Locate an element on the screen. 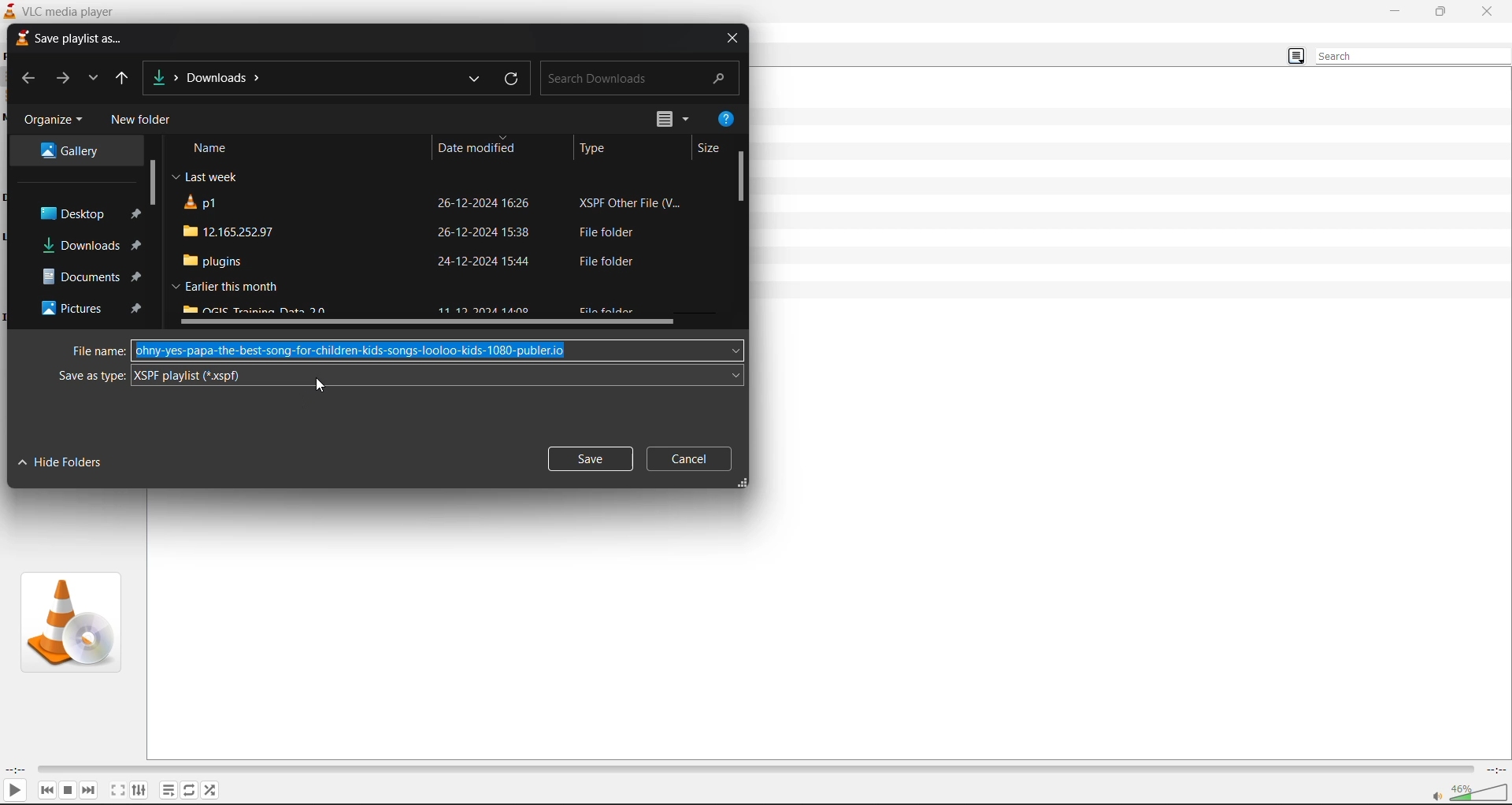 The image size is (1512, 805). cancel is located at coordinates (691, 459).